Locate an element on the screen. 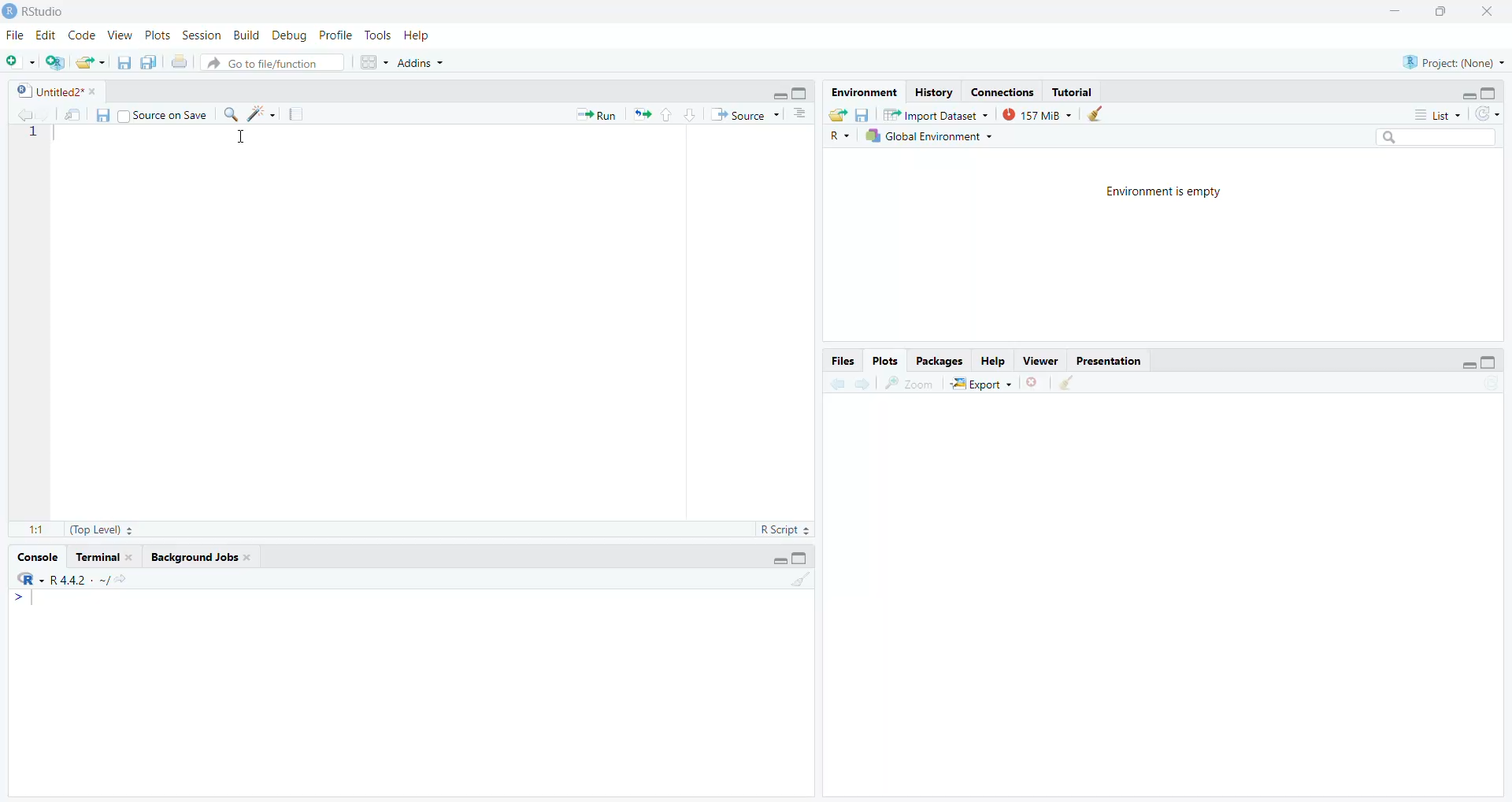 This screenshot has height=802, width=1512. File is located at coordinates (14, 33).